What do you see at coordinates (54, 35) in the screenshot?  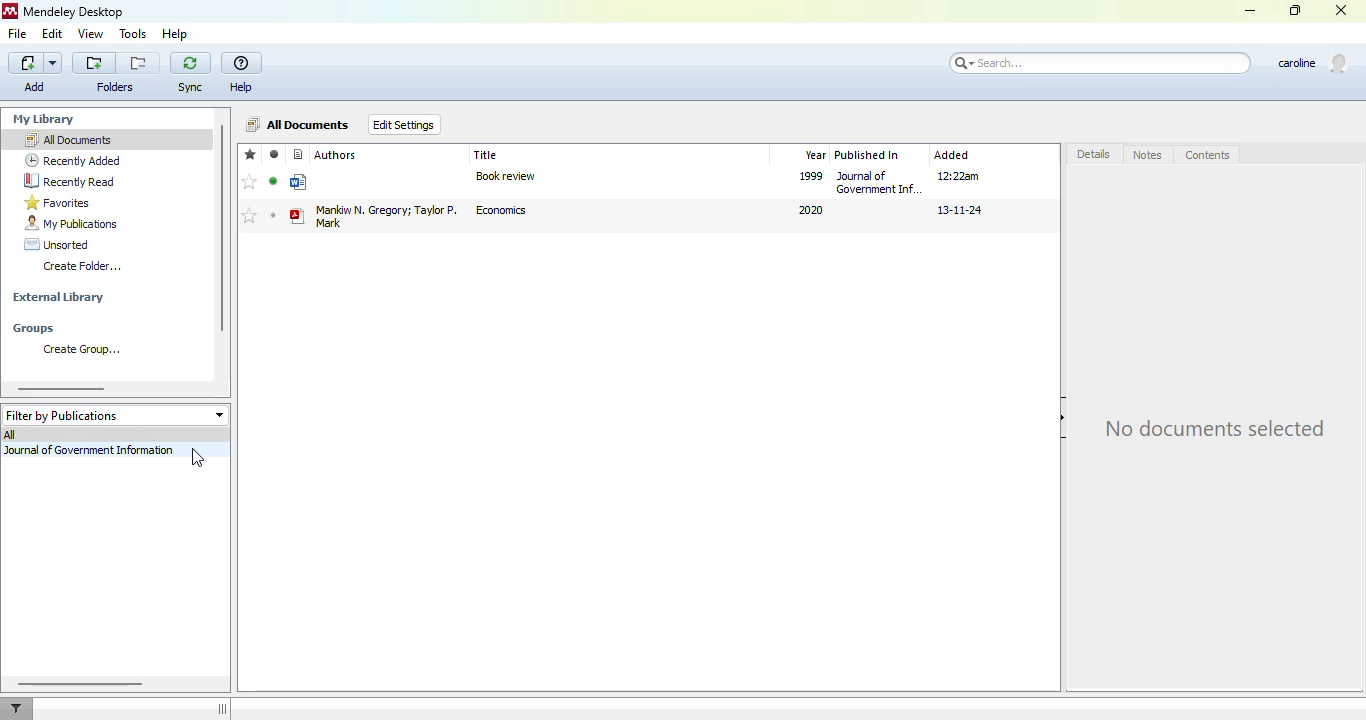 I see `edit` at bounding box center [54, 35].